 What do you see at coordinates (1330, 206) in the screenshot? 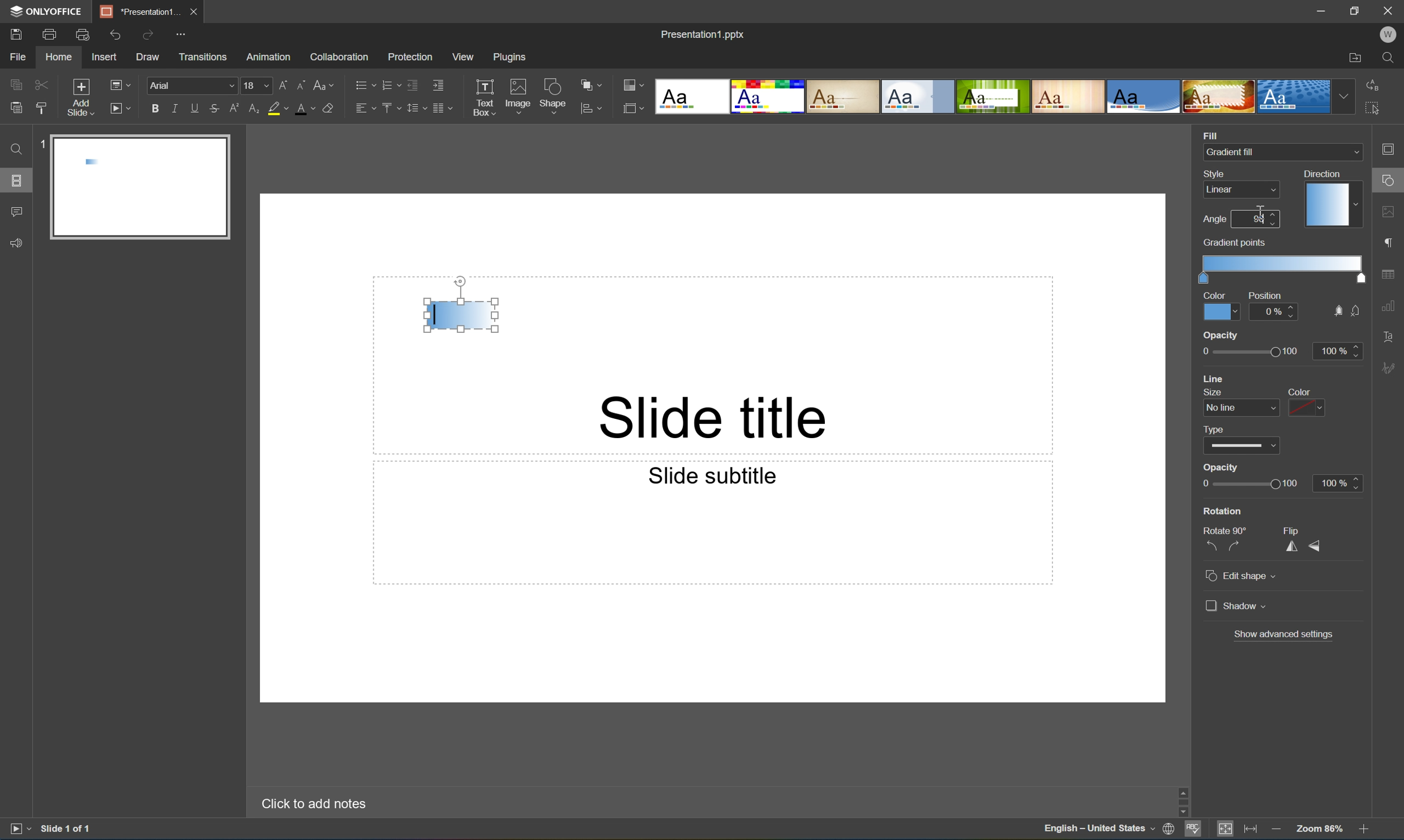
I see `Gradient direction` at bounding box center [1330, 206].